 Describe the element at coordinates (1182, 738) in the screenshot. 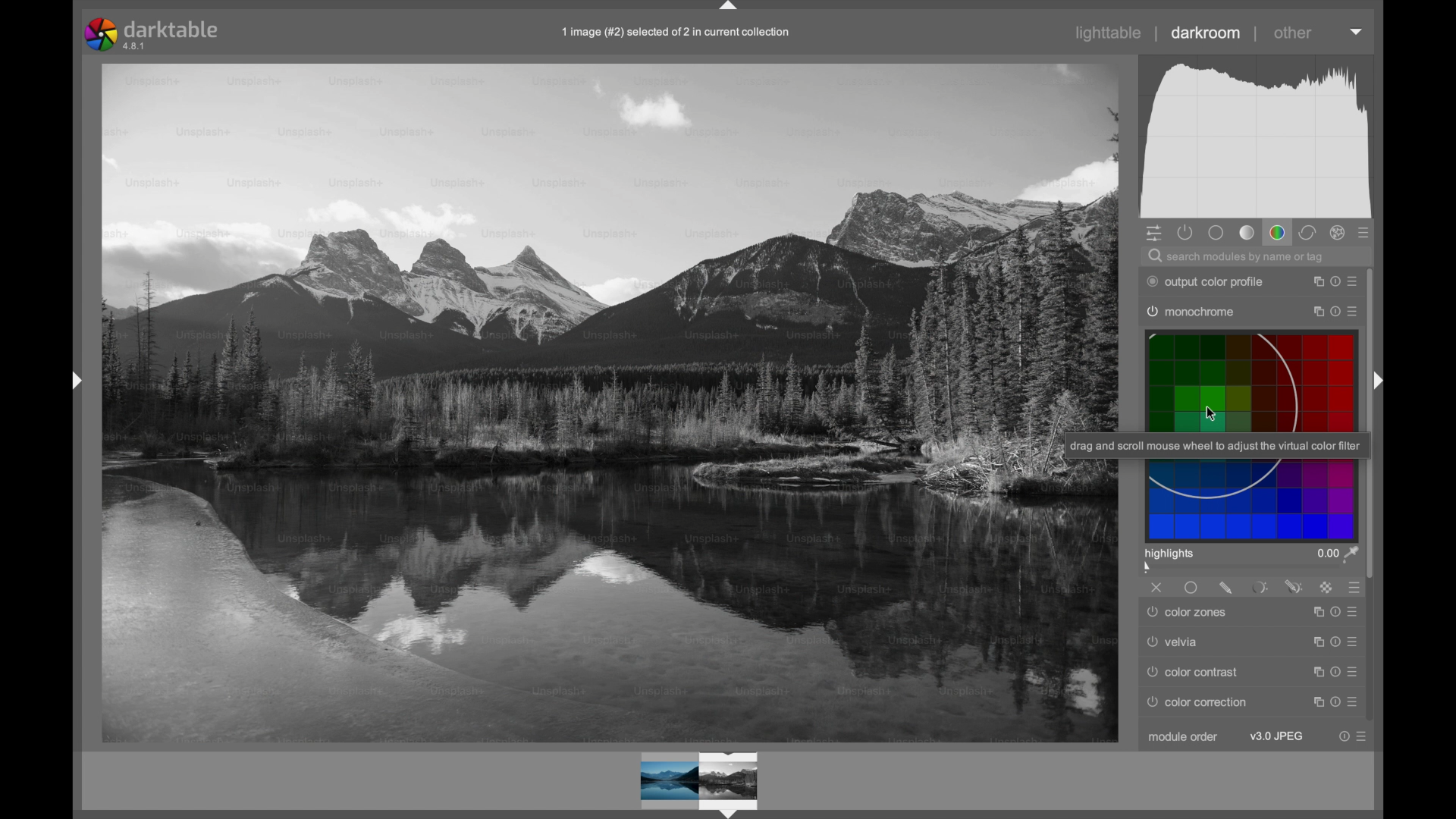

I see `module order` at that location.